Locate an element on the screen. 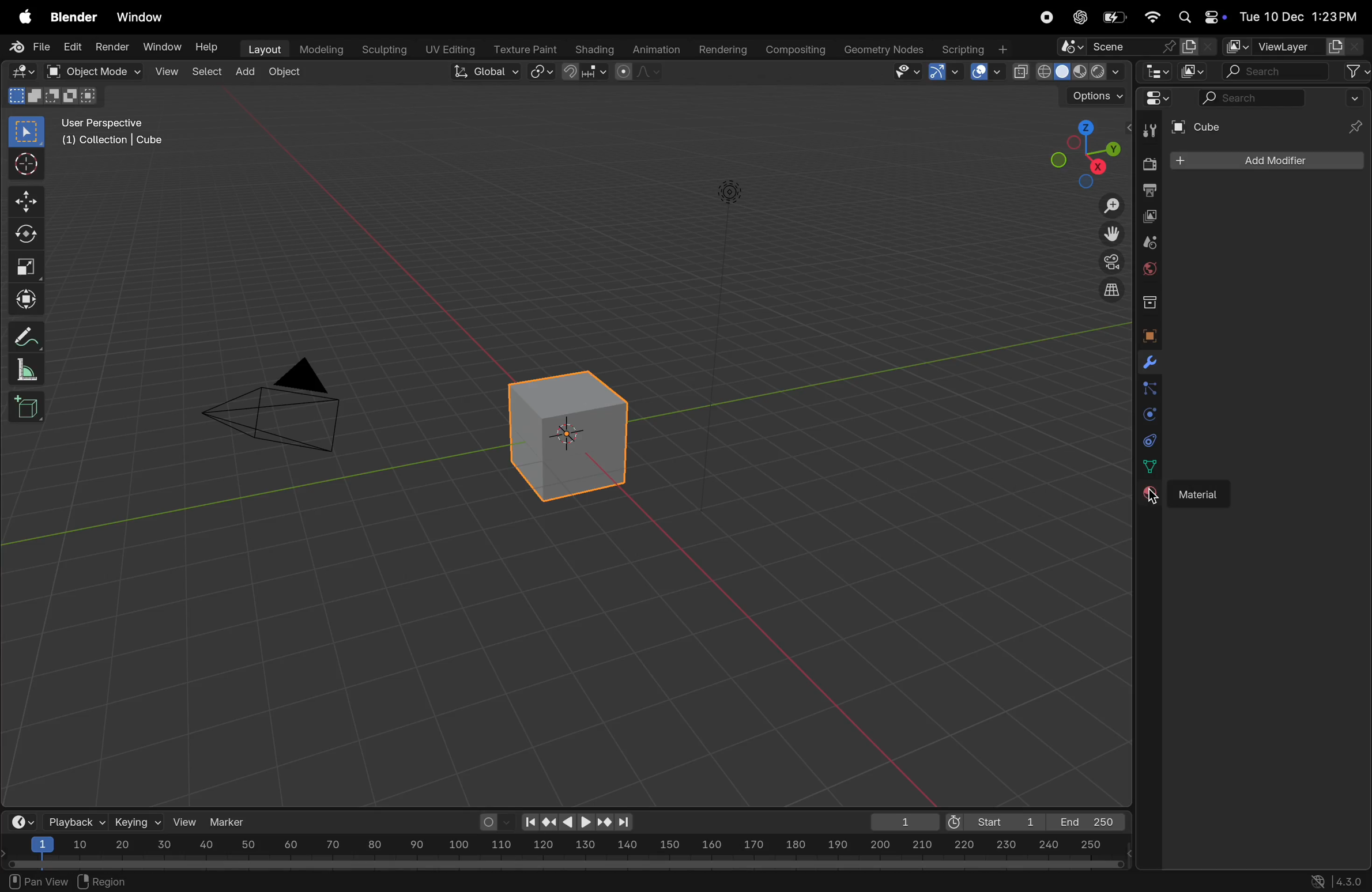 This screenshot has width=1372, height=892. 3D cube is located at coordinates (564, 436).